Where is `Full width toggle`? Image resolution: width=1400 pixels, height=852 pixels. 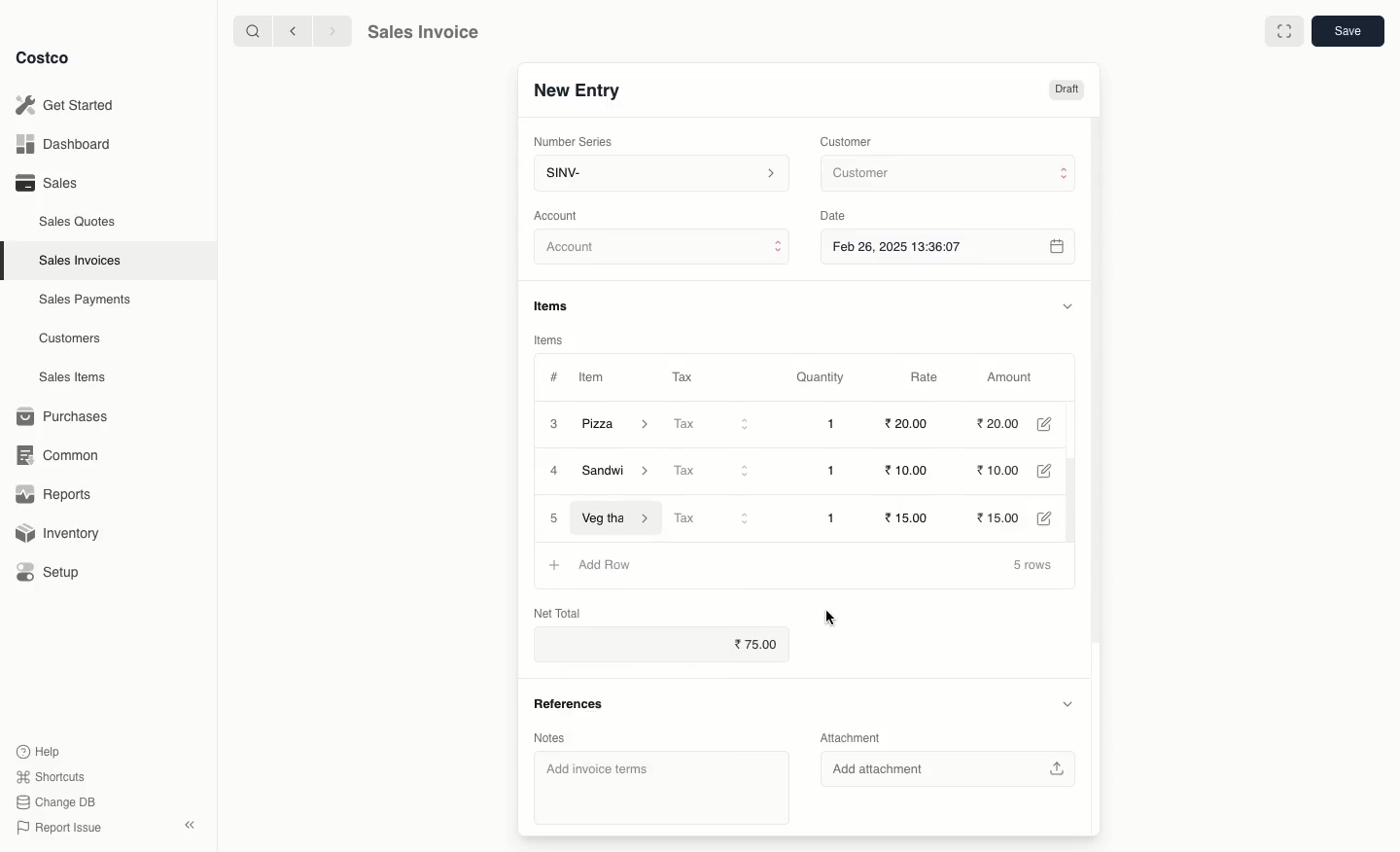 Full width toggle is located at coordinates (1282, 32).